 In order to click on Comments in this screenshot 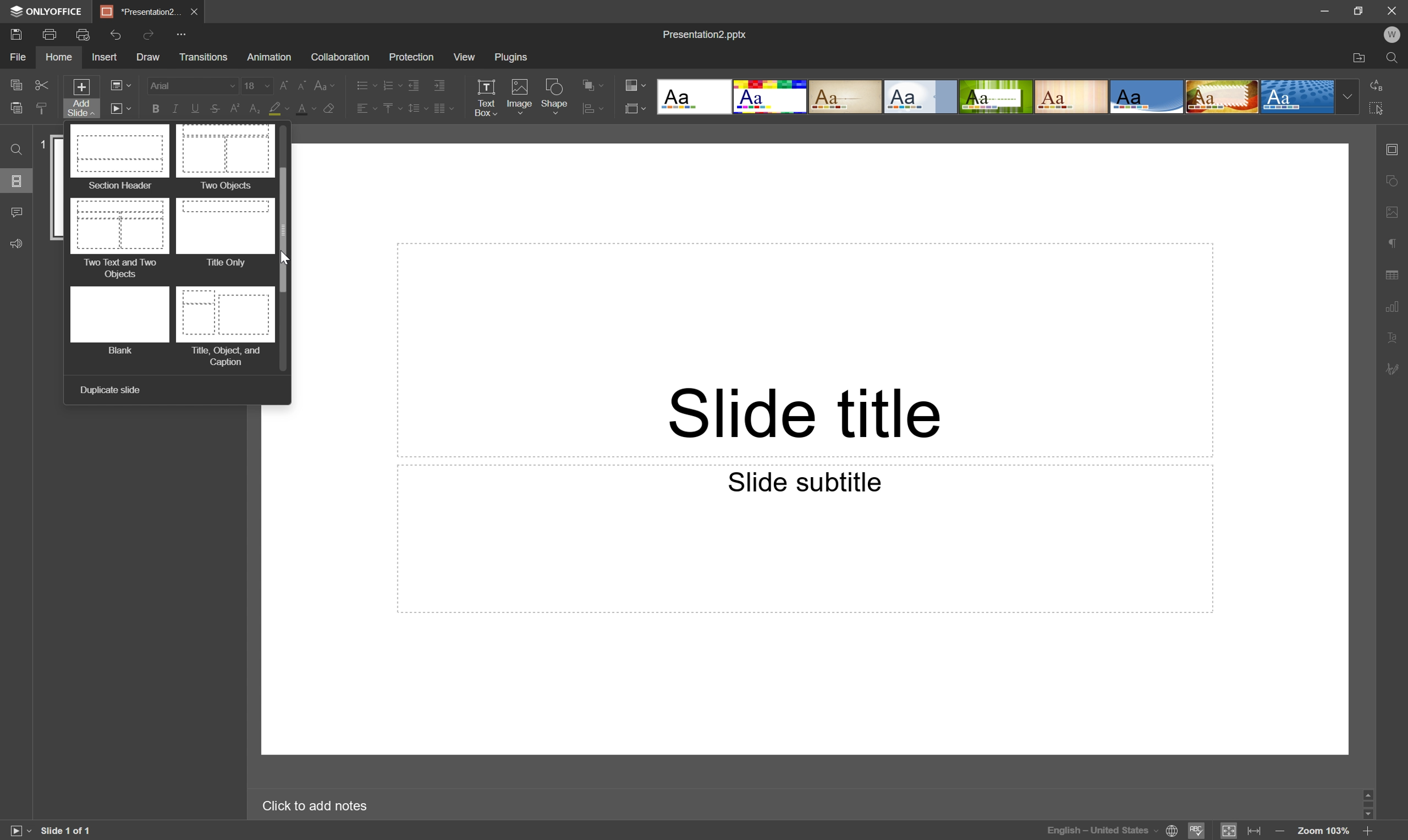, I will do `click(16, 212)`.